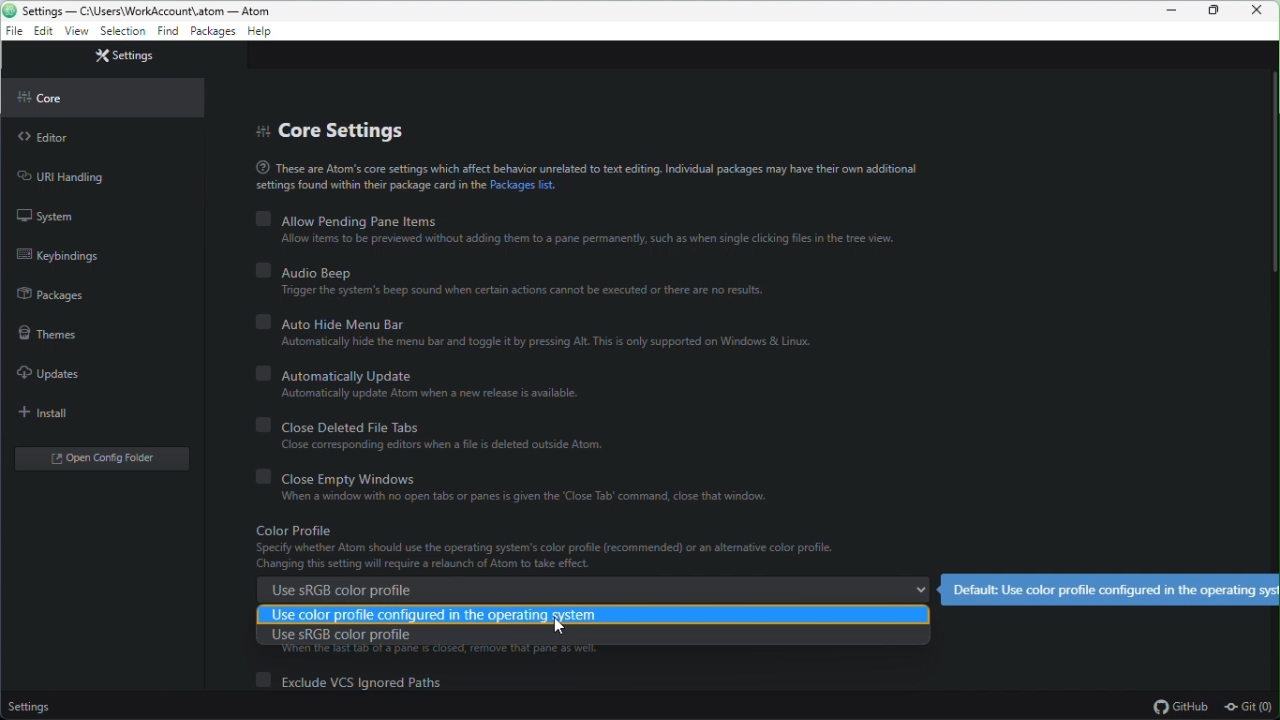 The image size is (1280, 720). What do you see at coordinates (43, 34) in the screenshot?
I see `edit` at bounding box center [43, 34].